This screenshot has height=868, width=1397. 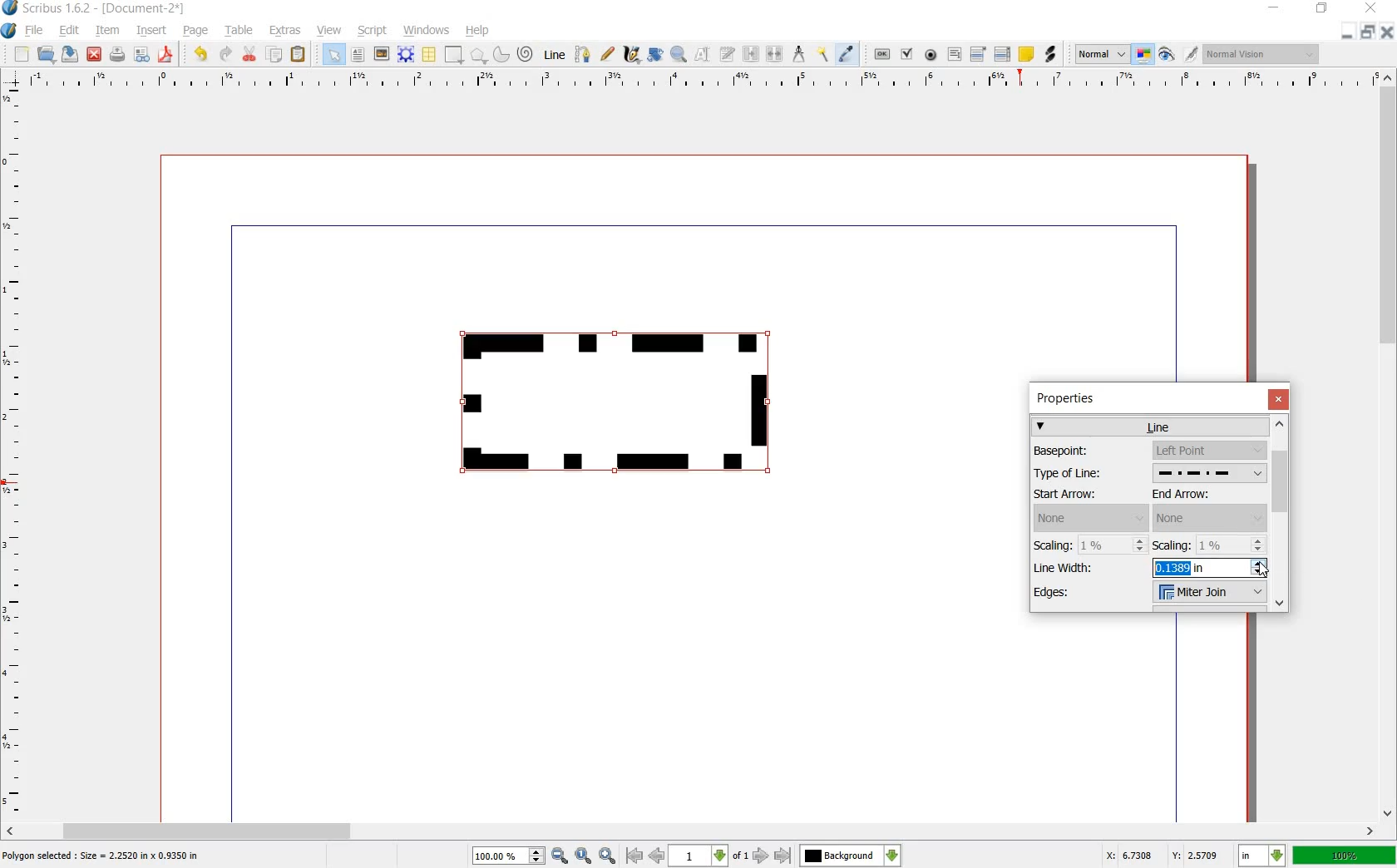 I want to click on POLYGON, so click(x=479, y=57).